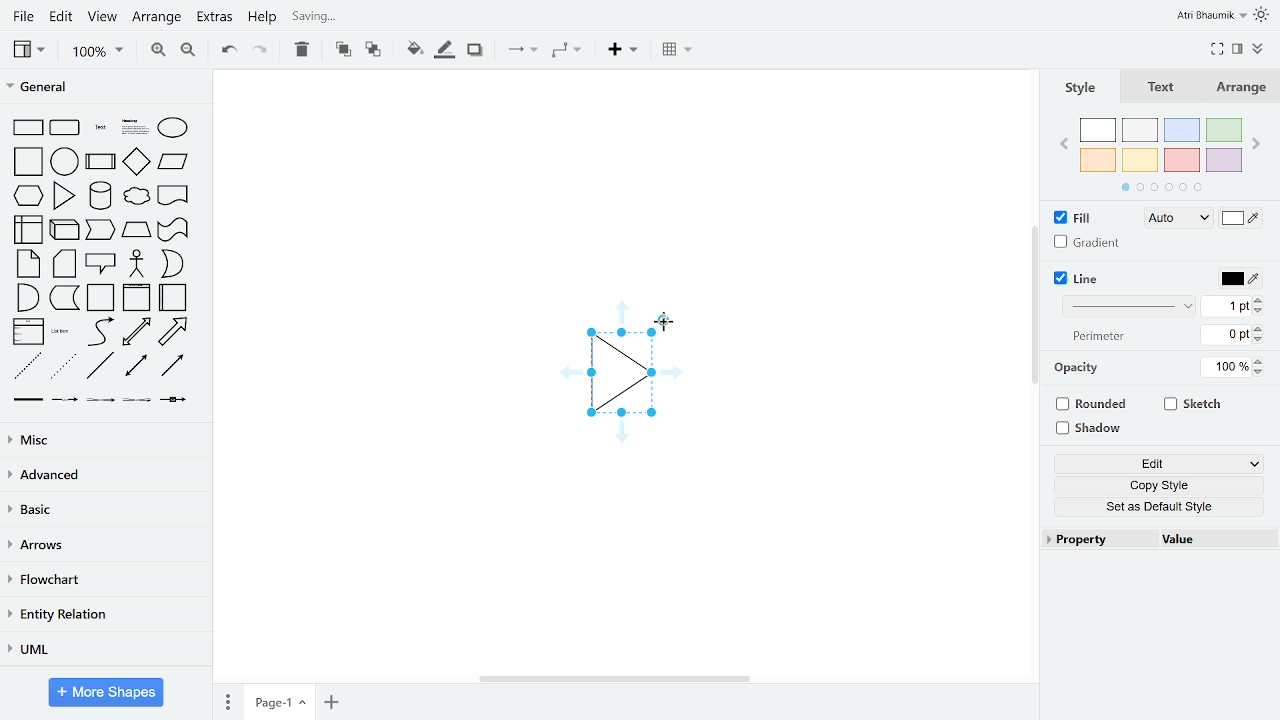 The height and width of the screenshot is (720, 1280). What do you see at coordinates (1035, 307) in the screenshot?
I see `vertical scrollbar` at bounding box center [1035, 307].